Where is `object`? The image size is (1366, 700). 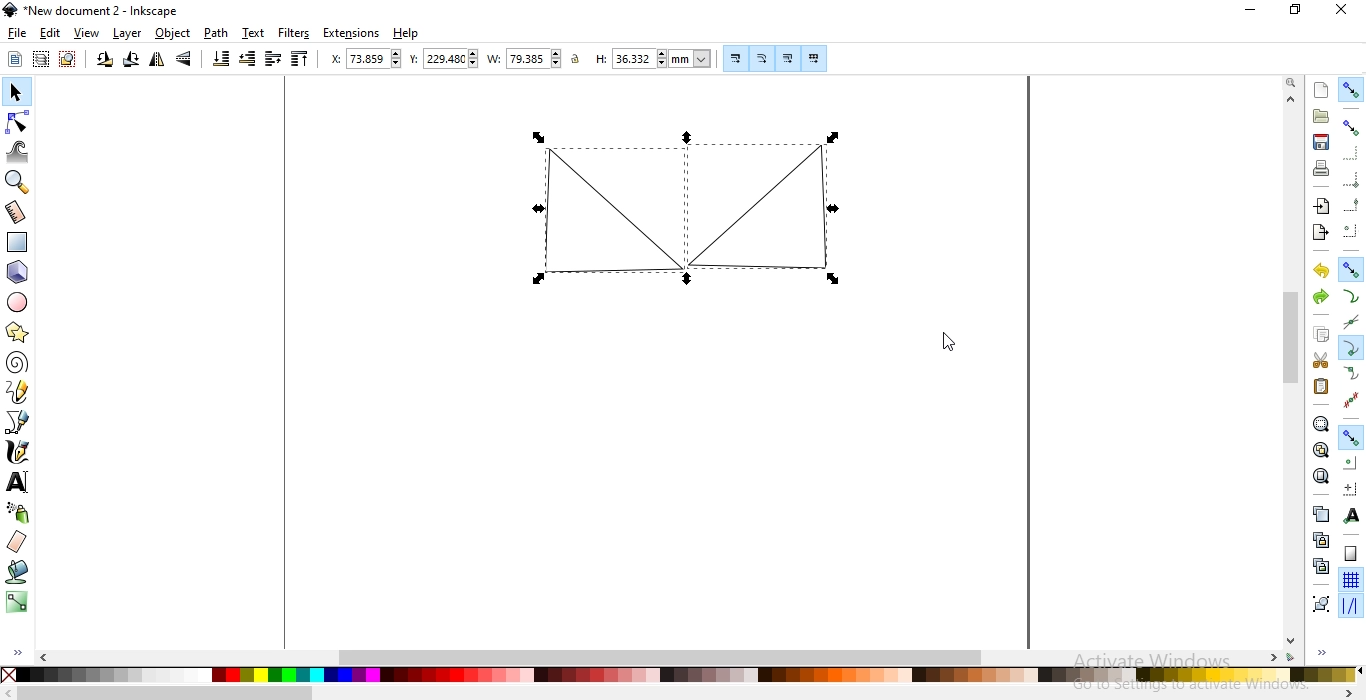 object is located at coordinates (172, 34).